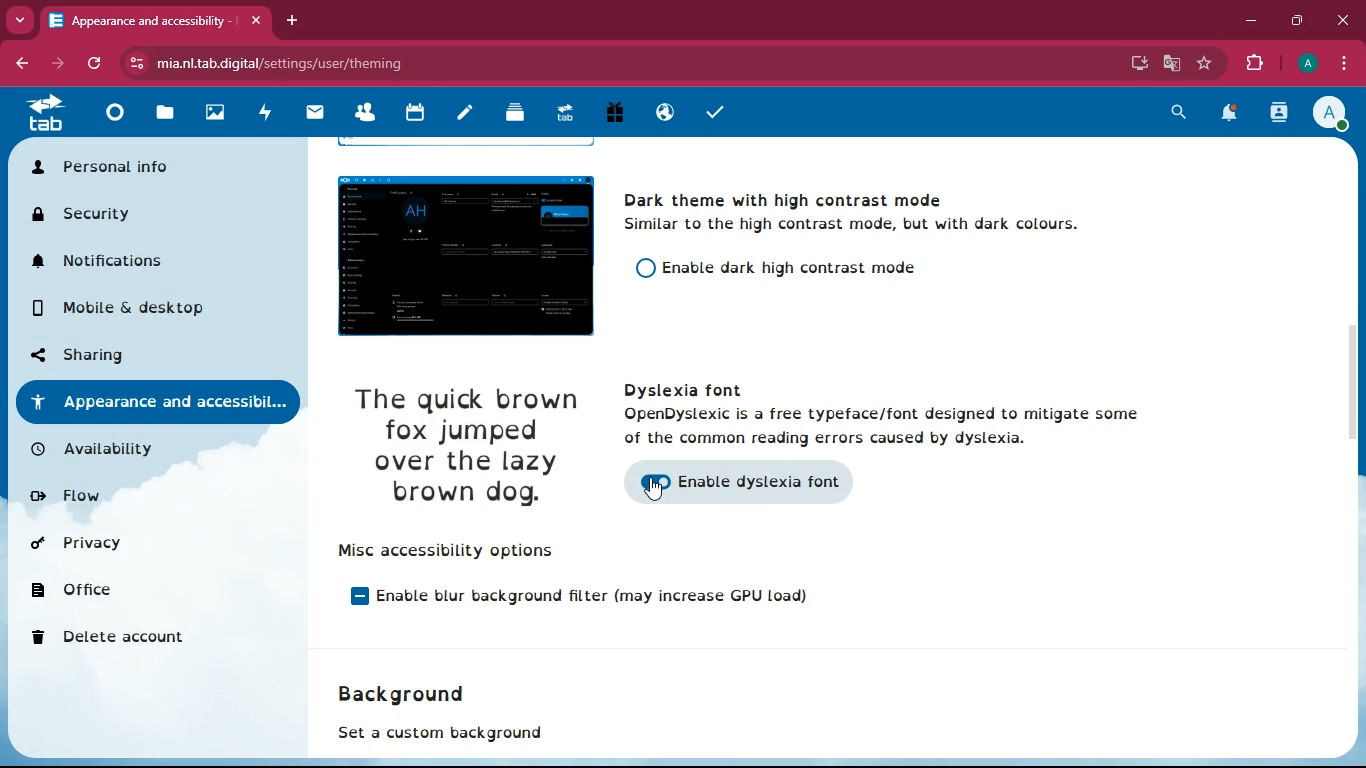  What do you see at coordinates (155, 23) in the screenshot?
I see `tab` at bounding box center [155, 23].